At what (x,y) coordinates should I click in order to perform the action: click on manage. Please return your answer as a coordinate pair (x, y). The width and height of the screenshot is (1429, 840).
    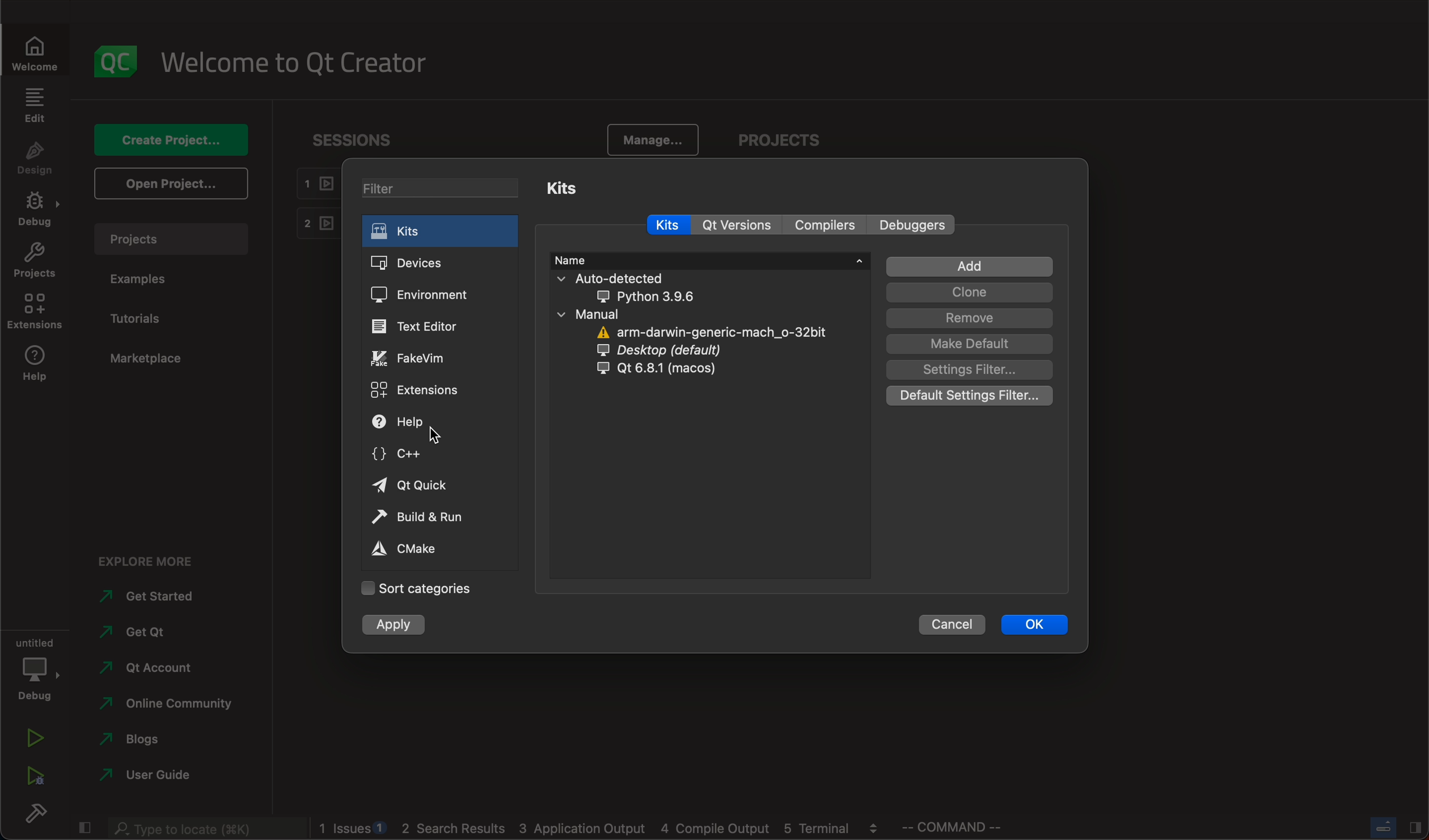
    Looking at the image, I should click on (658, 141).